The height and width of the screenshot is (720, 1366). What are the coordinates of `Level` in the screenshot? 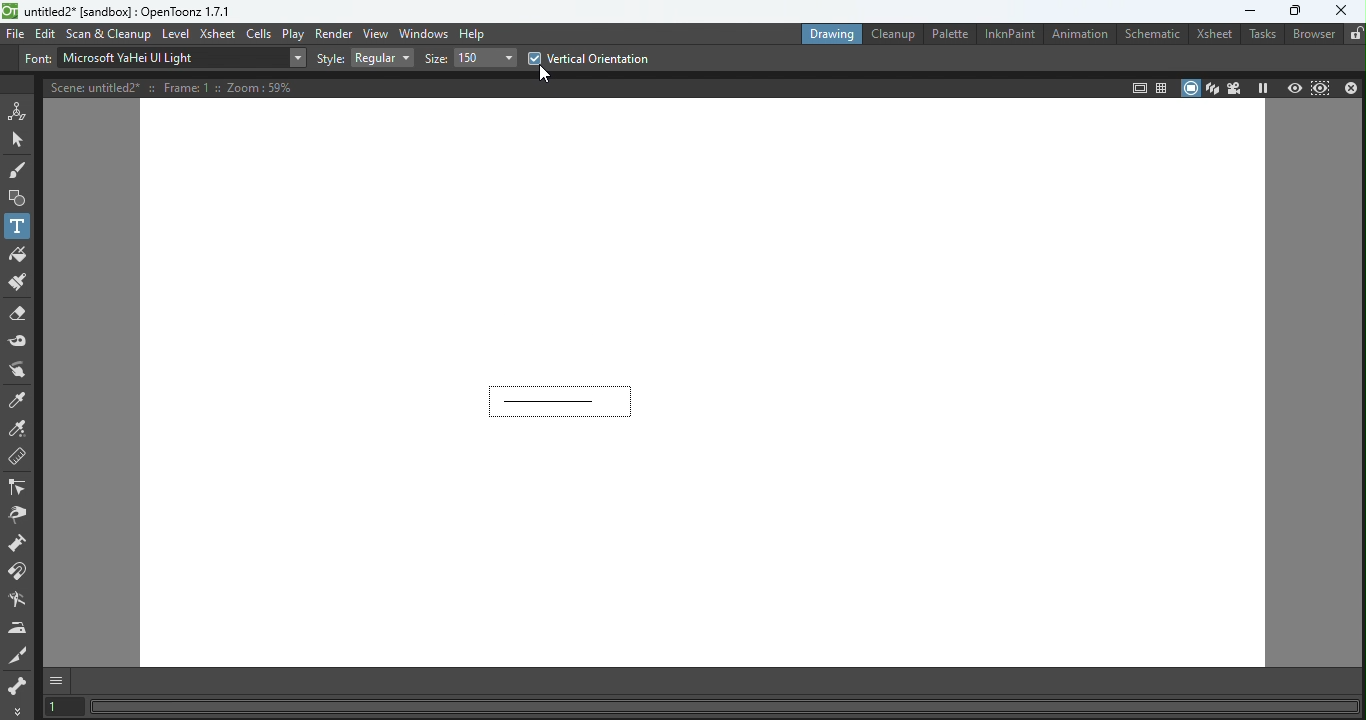 It's located at (179, 36).